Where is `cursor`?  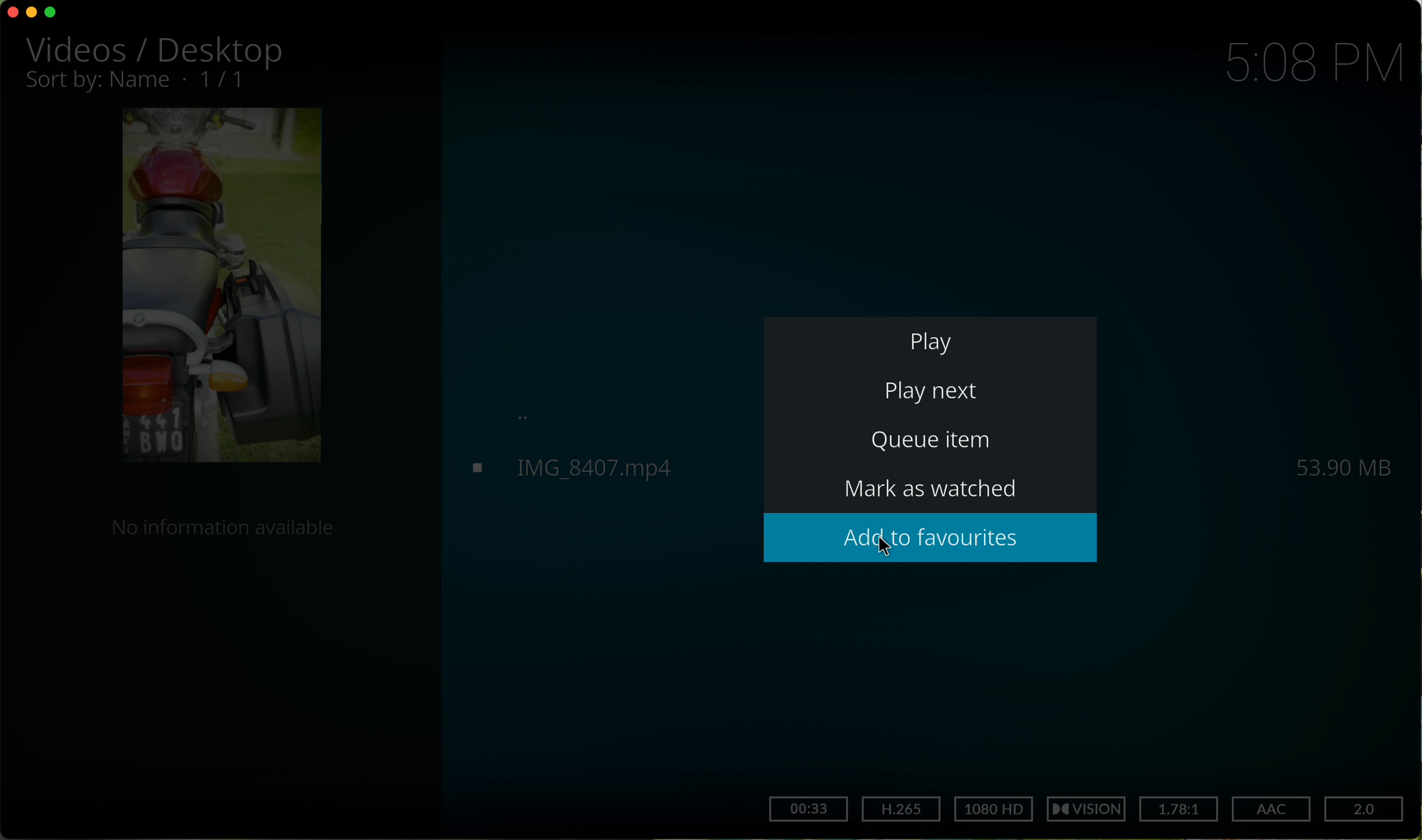
cursor is located at coordinates (883, 545).